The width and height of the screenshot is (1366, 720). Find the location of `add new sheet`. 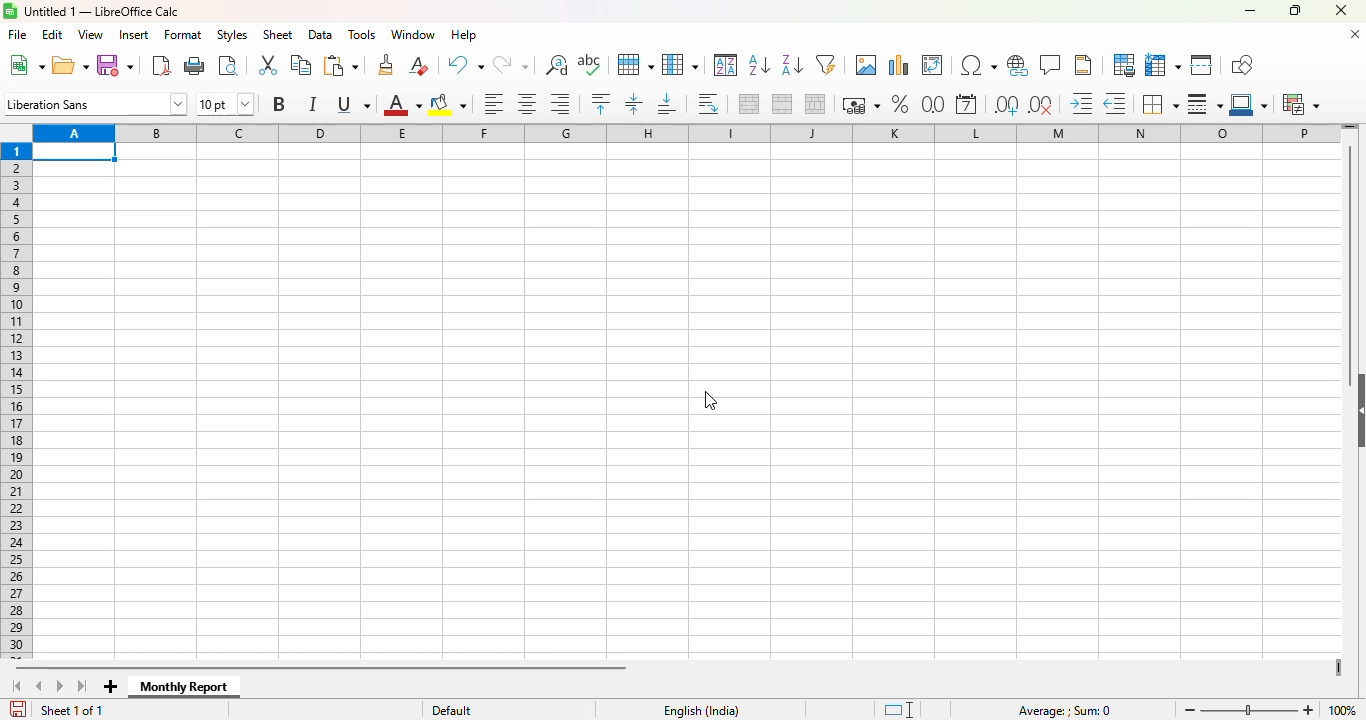

add new sheet is located at coordinates (111, 687).